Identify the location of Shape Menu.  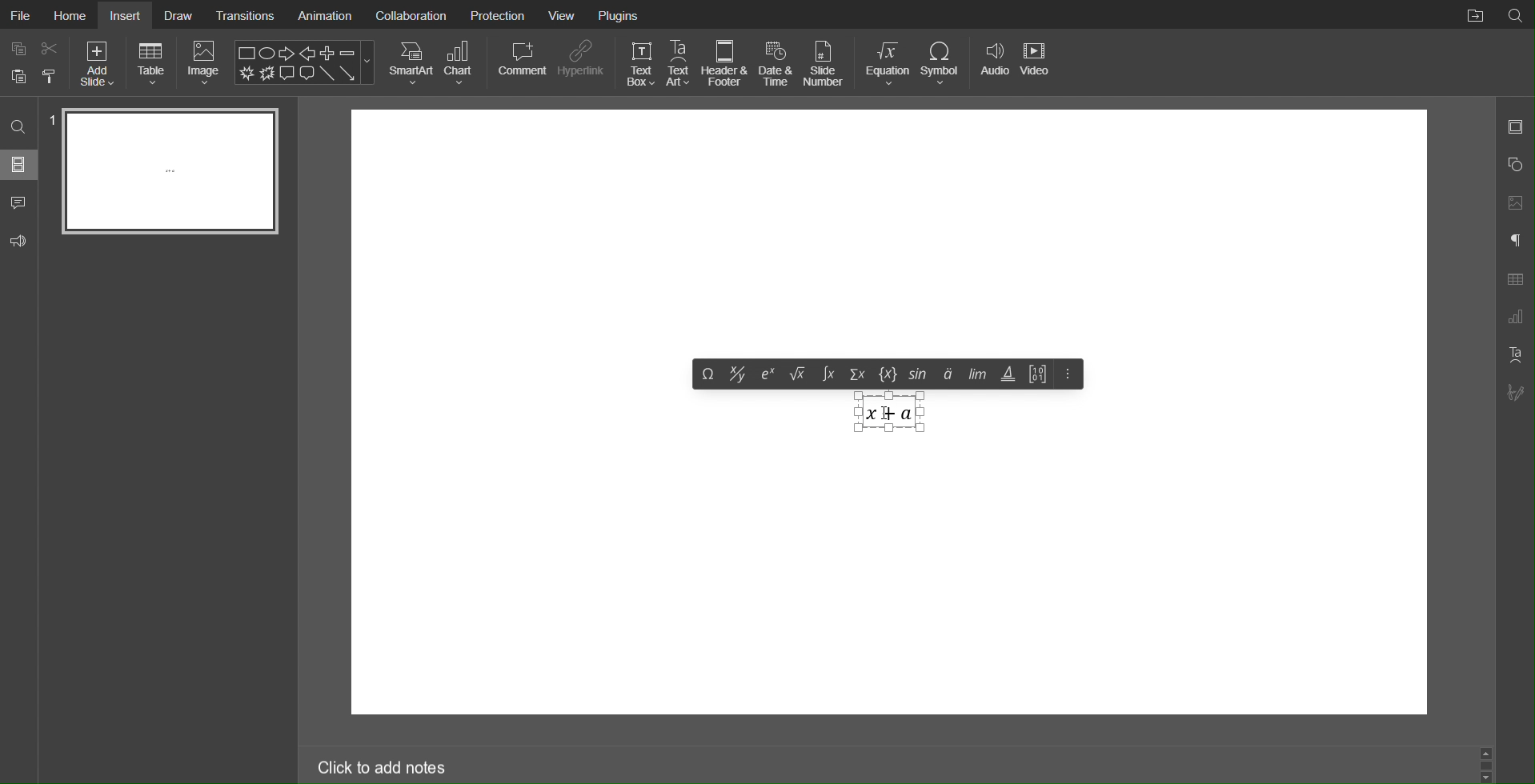
(303, 62).